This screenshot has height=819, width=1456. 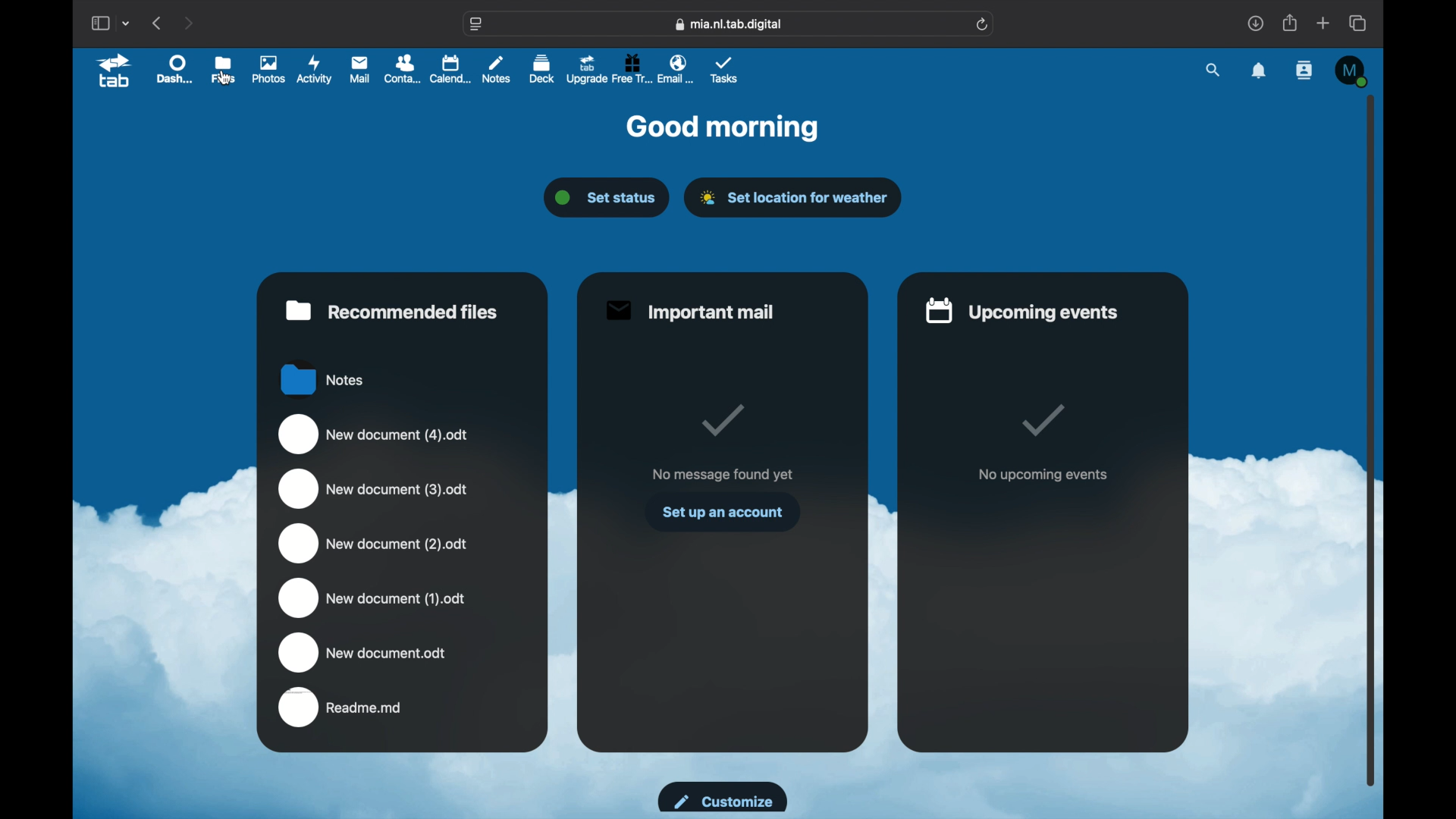 What do you see at coordinates (722, 422) in the screenshot?
I see `tick mark` at bounding box center [722, 422].